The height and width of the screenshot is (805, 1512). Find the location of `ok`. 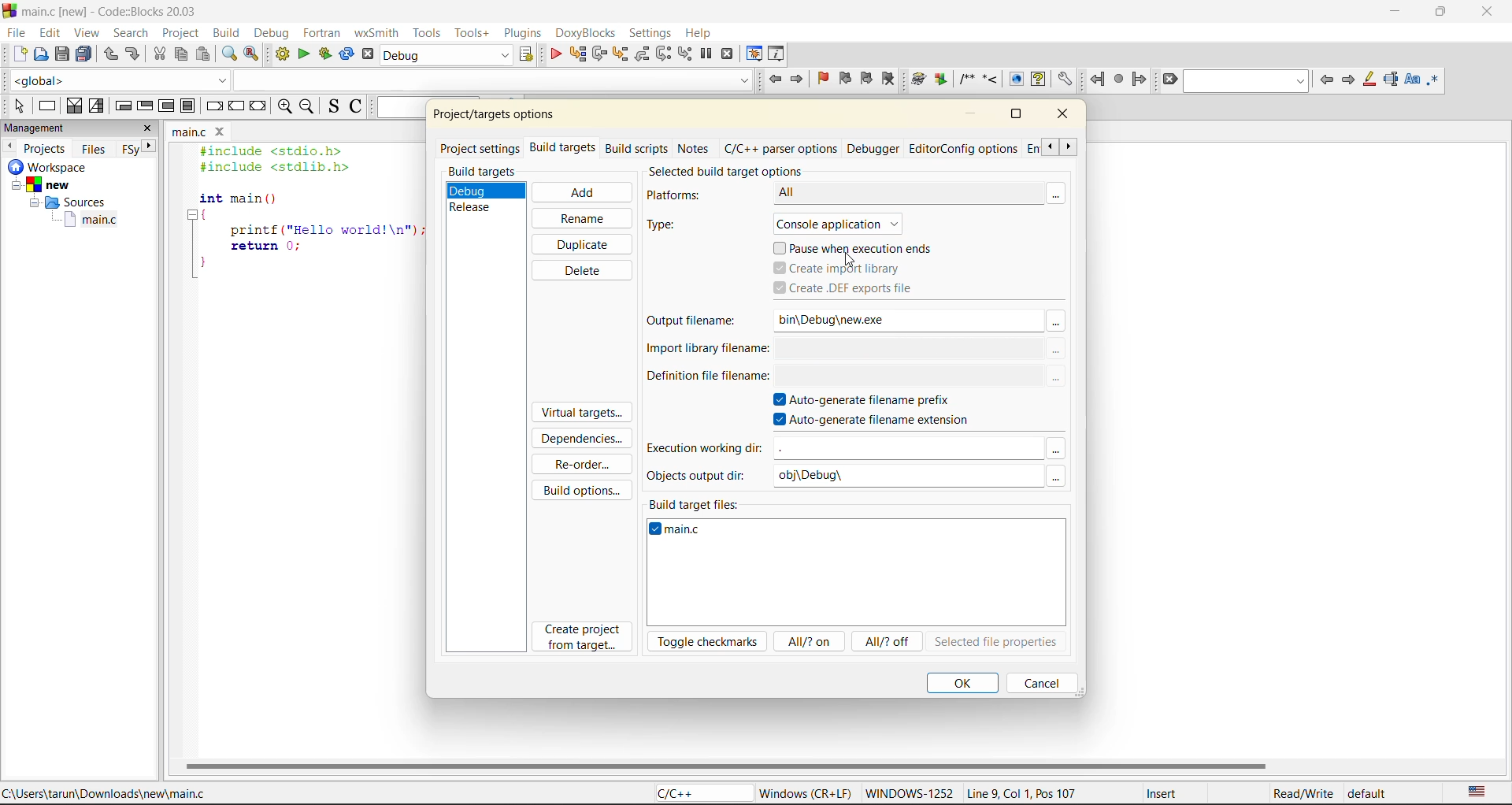

ok is located at coordinates (962, 682).